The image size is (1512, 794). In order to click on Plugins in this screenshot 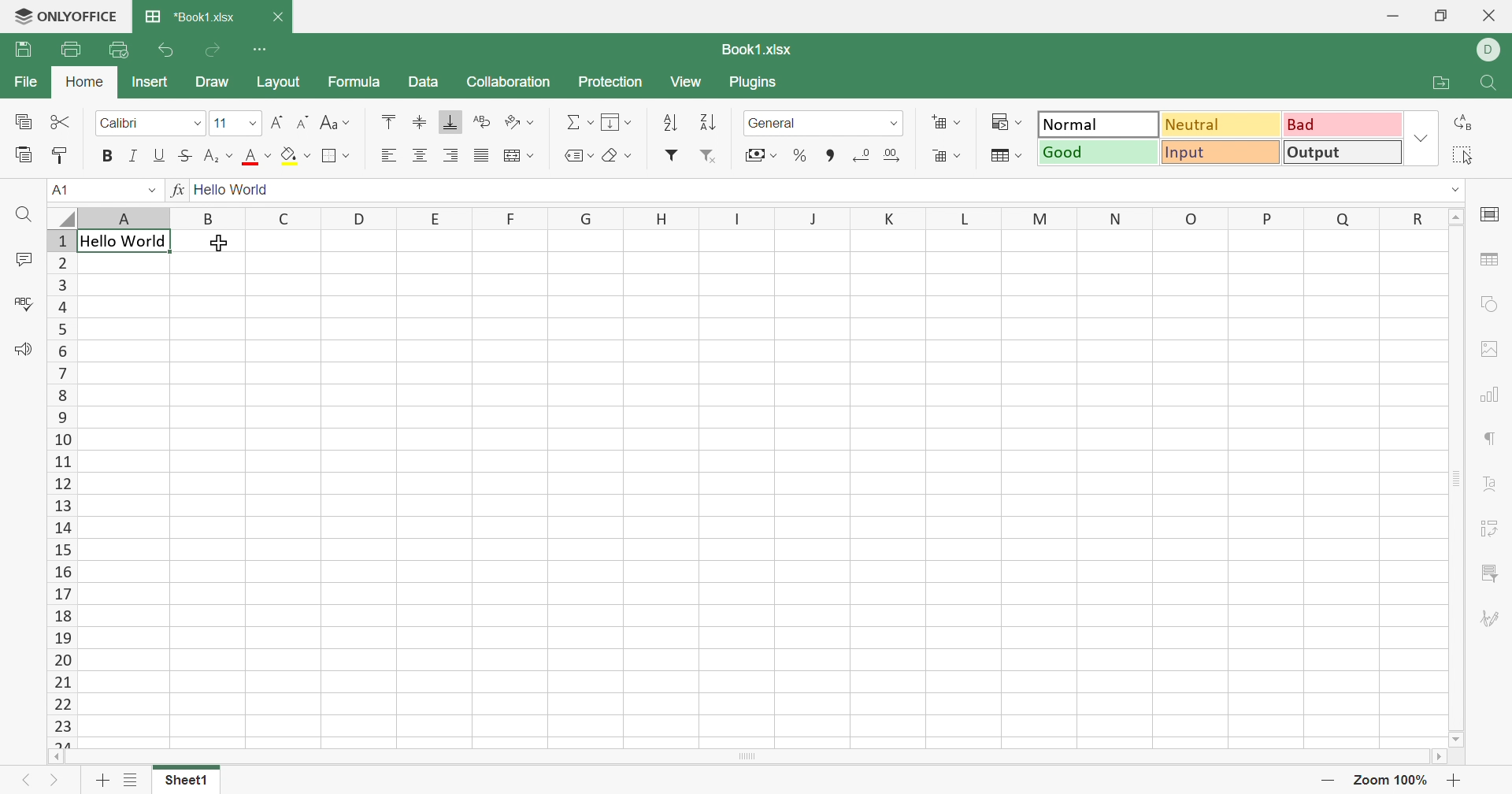, I will do `click(752, 84)`.